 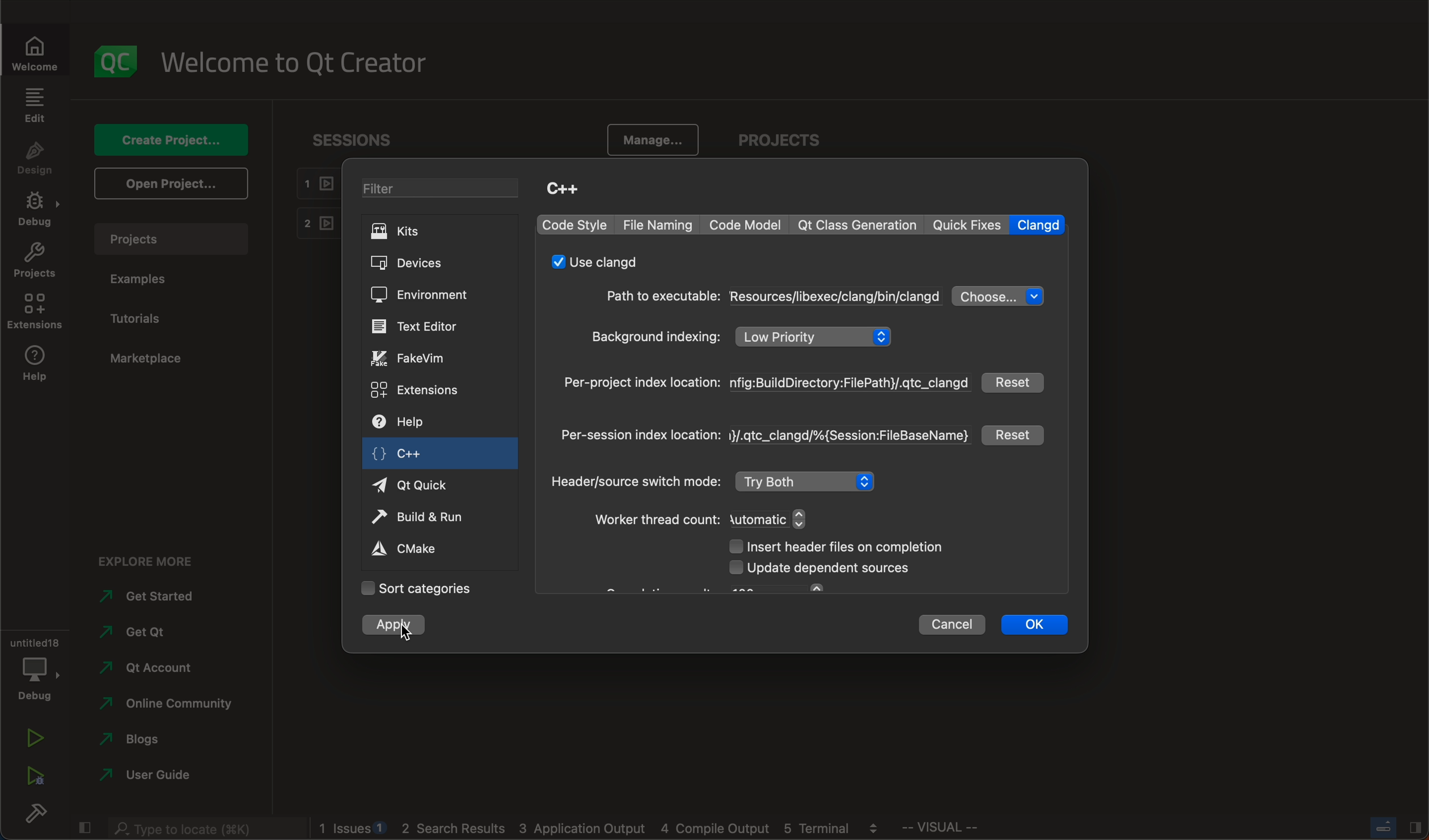 What do you see at coordinates (36, 262) in the screenshot?
I see `projects` at bounding box center [36, 262].